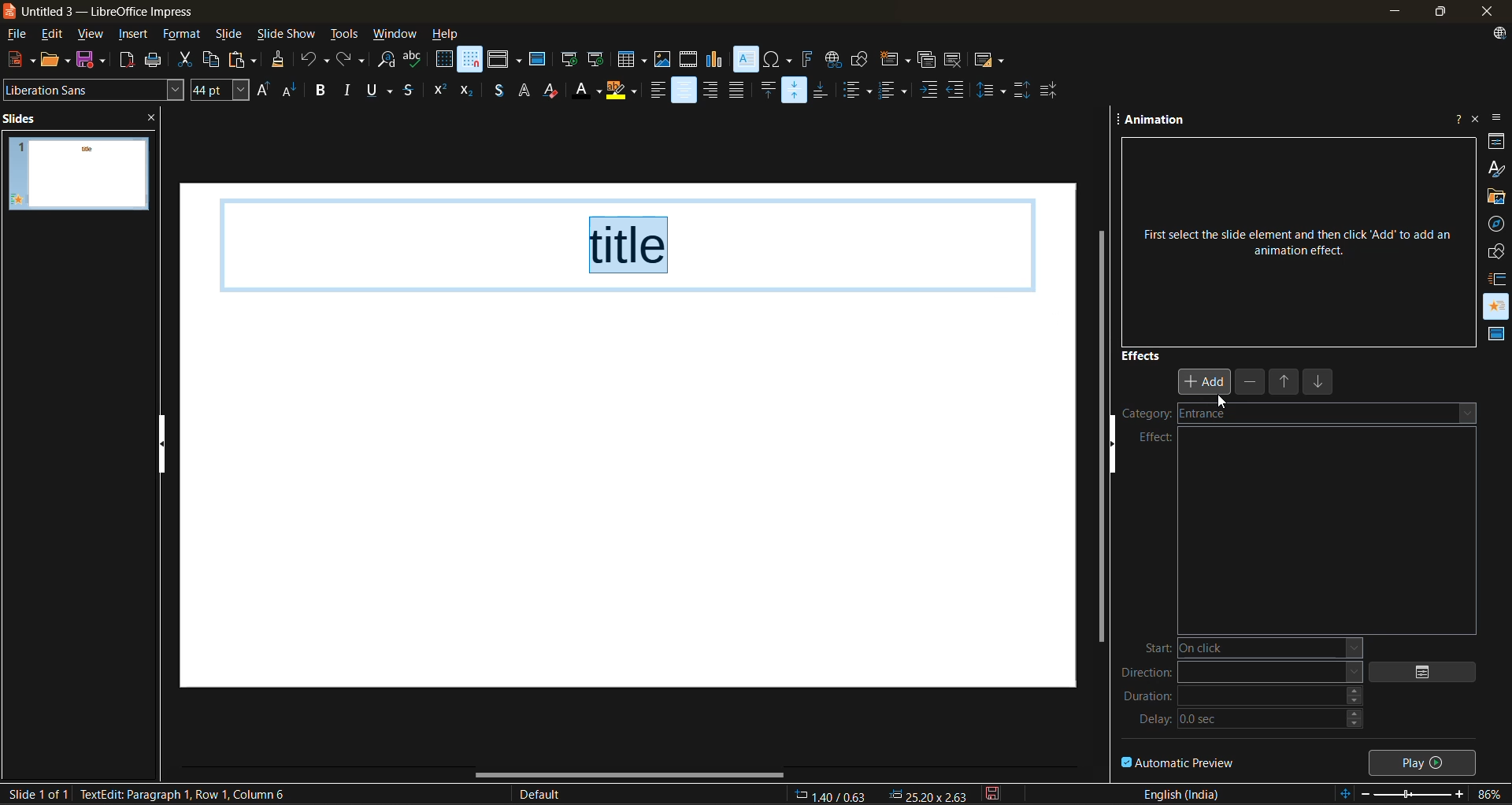  What do you see at coordinates (447, 35) in the screenshot?
I see `help` at bounding box center [447, 35].